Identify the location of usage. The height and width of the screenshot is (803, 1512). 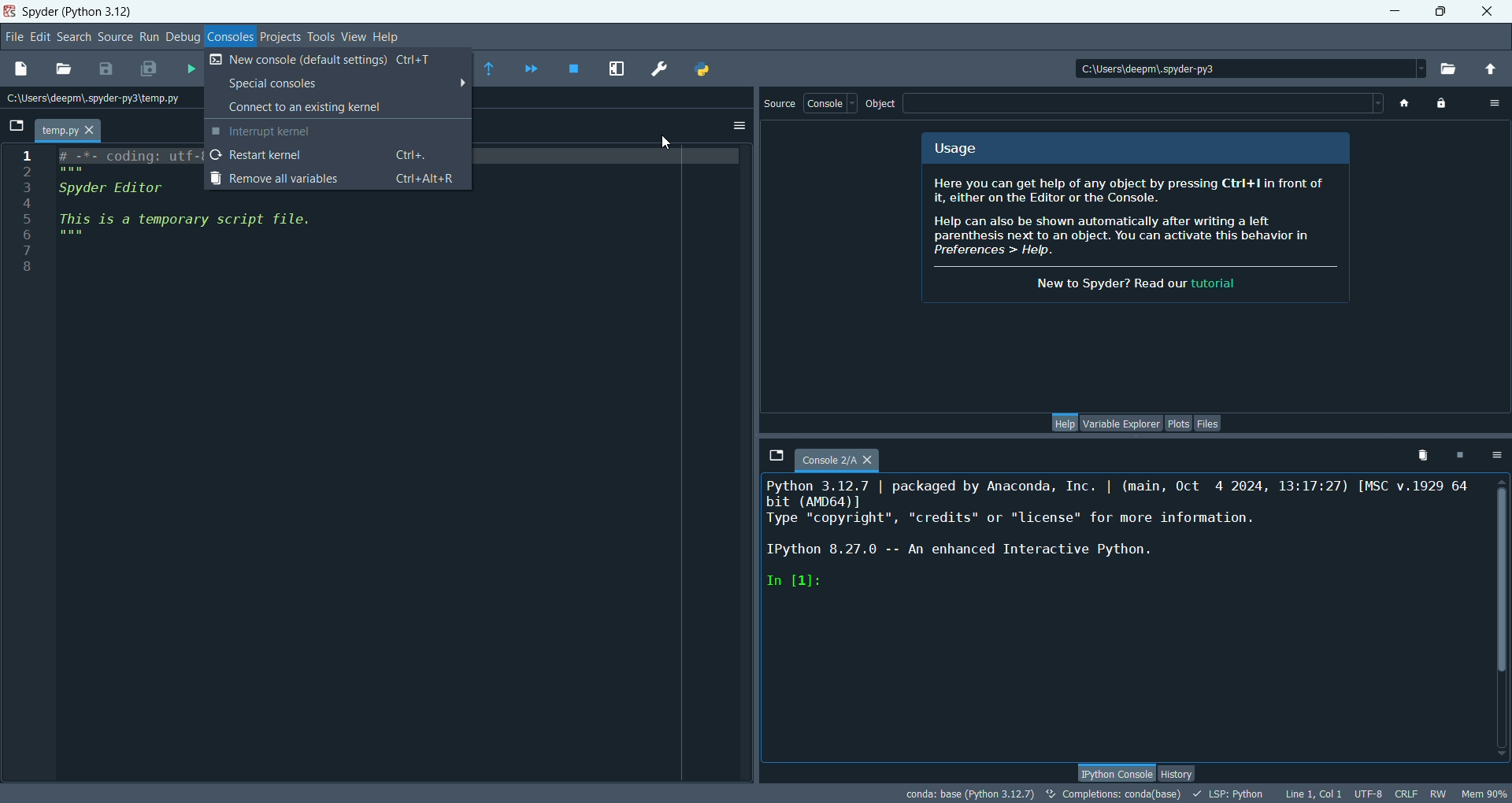
(954, 148).